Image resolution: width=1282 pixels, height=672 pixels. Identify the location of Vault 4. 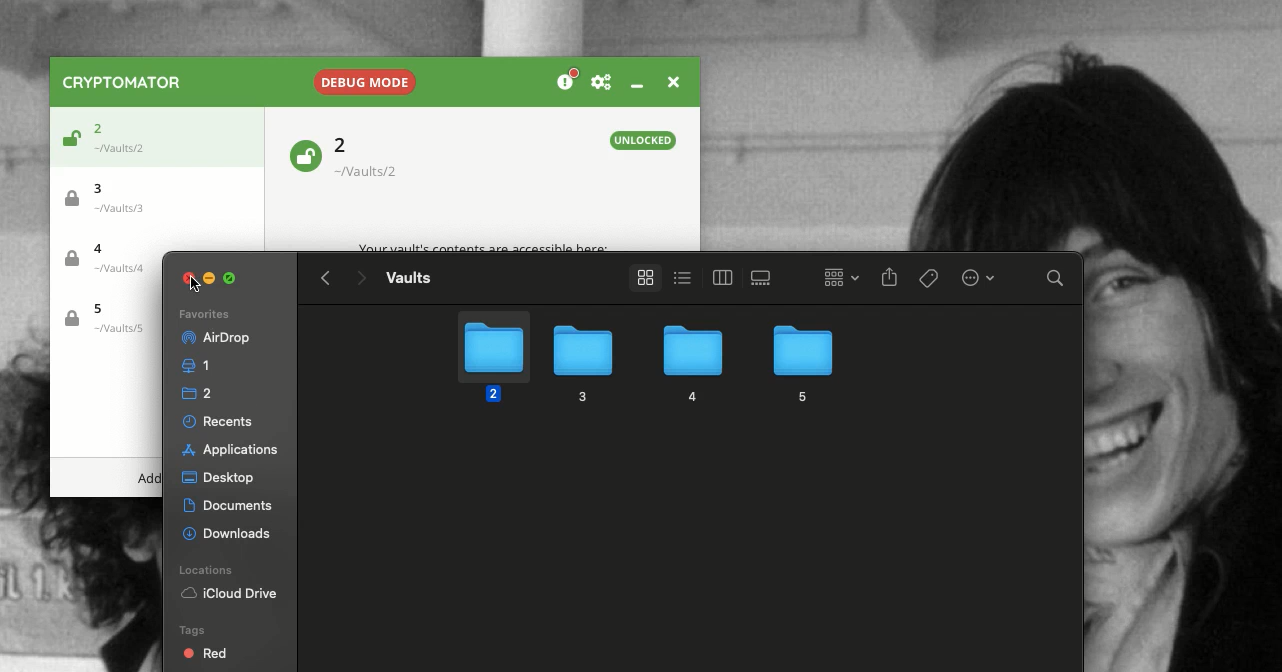
(112, 261).